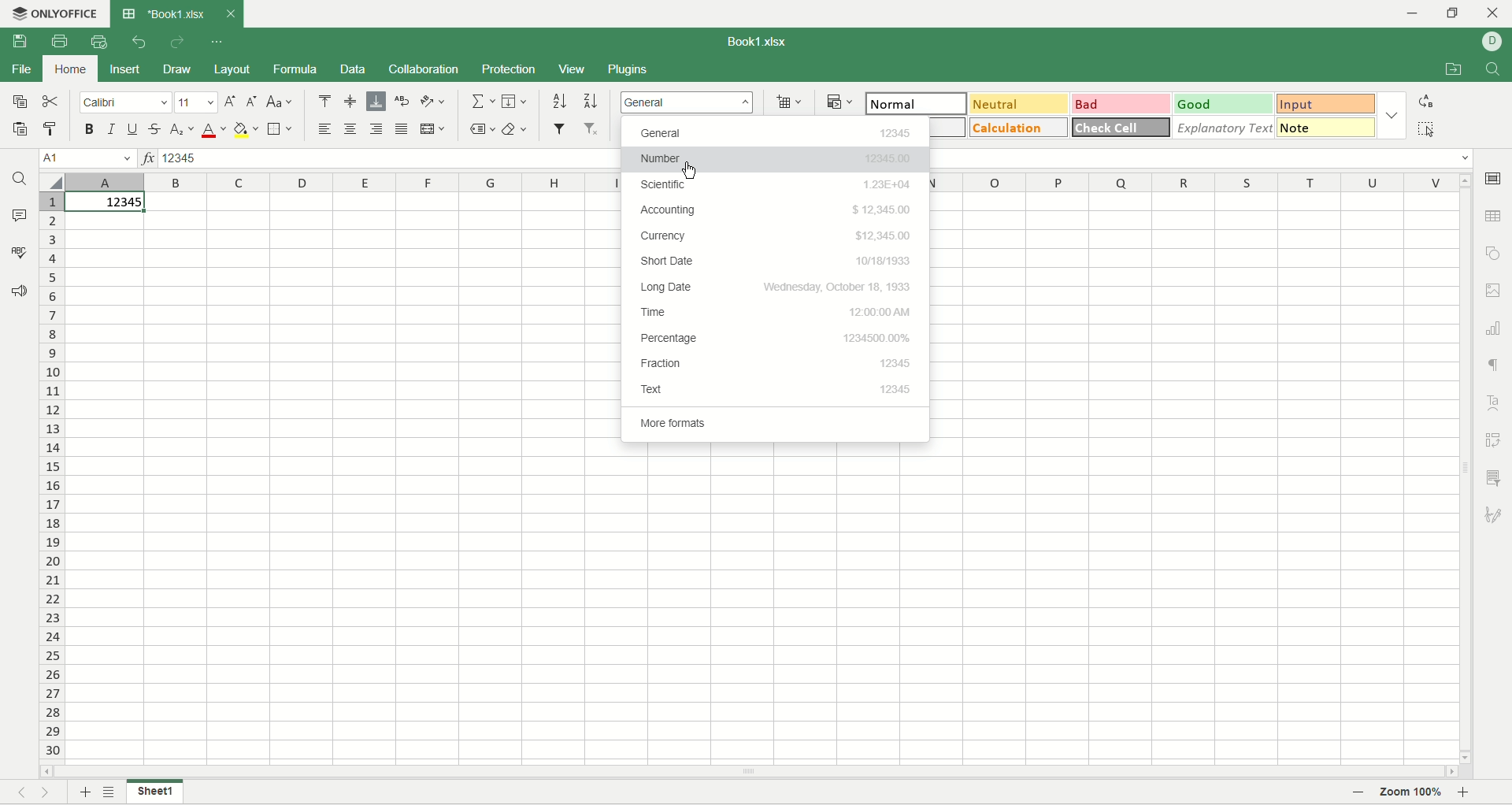  I want to click on number, so click(777, 162).